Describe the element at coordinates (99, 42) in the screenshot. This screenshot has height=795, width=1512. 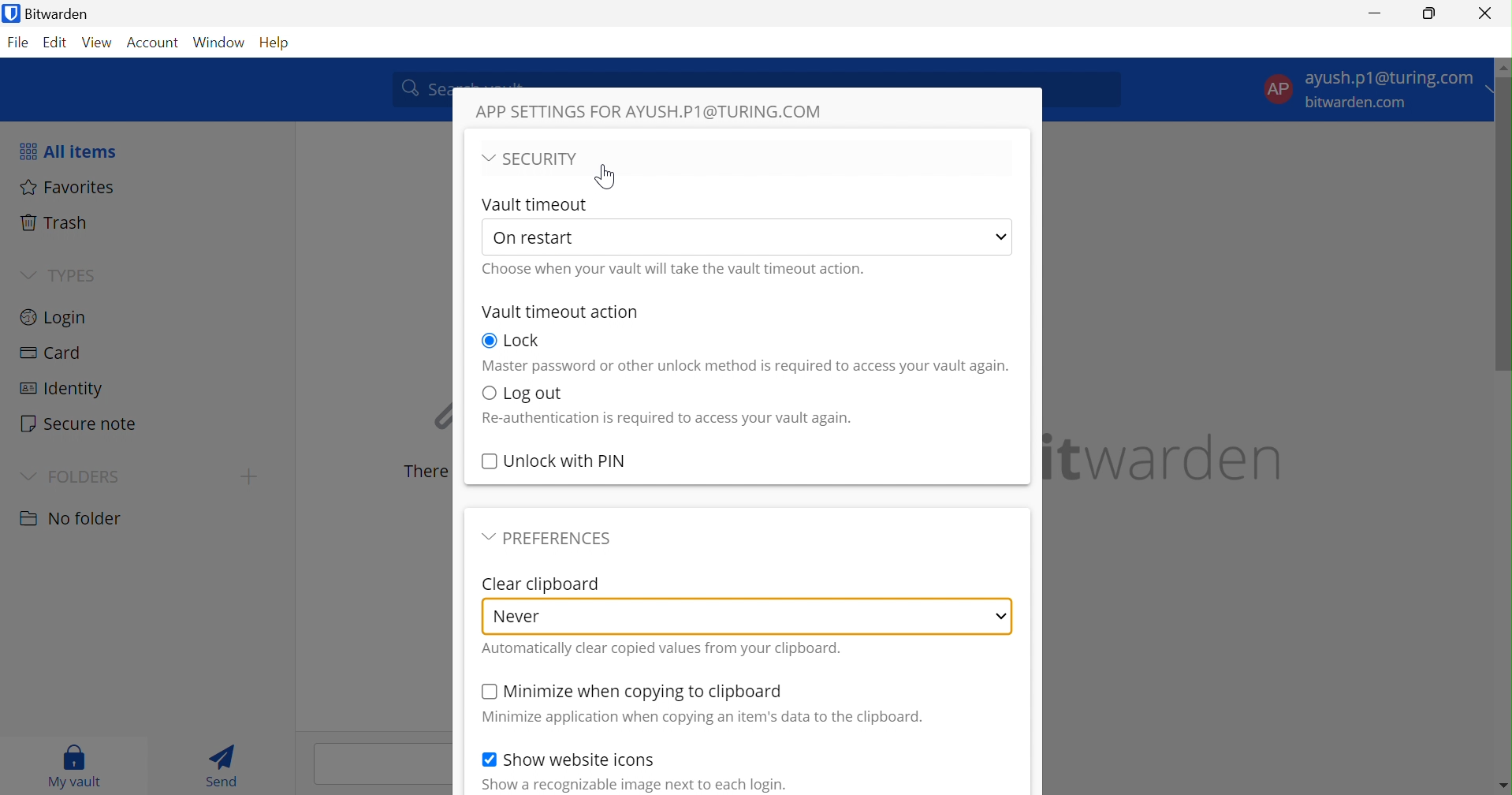
I see `View` at that location.